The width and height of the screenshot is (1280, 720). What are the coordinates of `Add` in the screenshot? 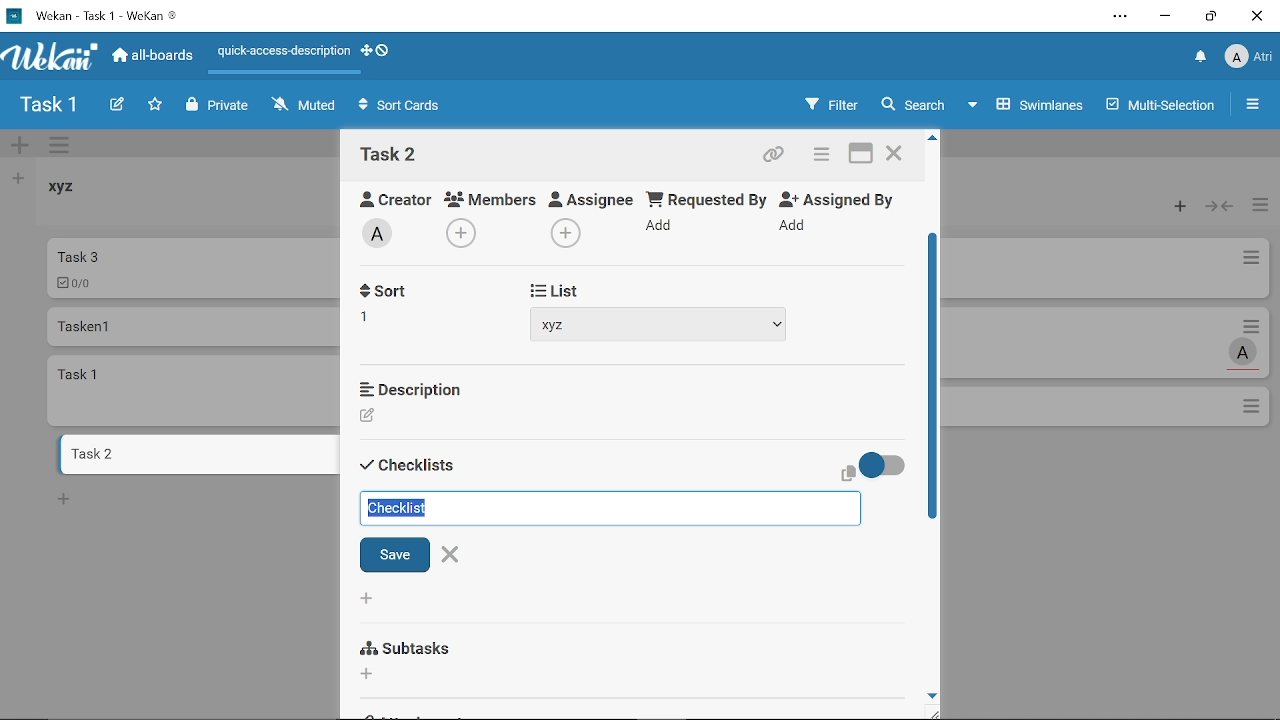 It's located at (662, 229).